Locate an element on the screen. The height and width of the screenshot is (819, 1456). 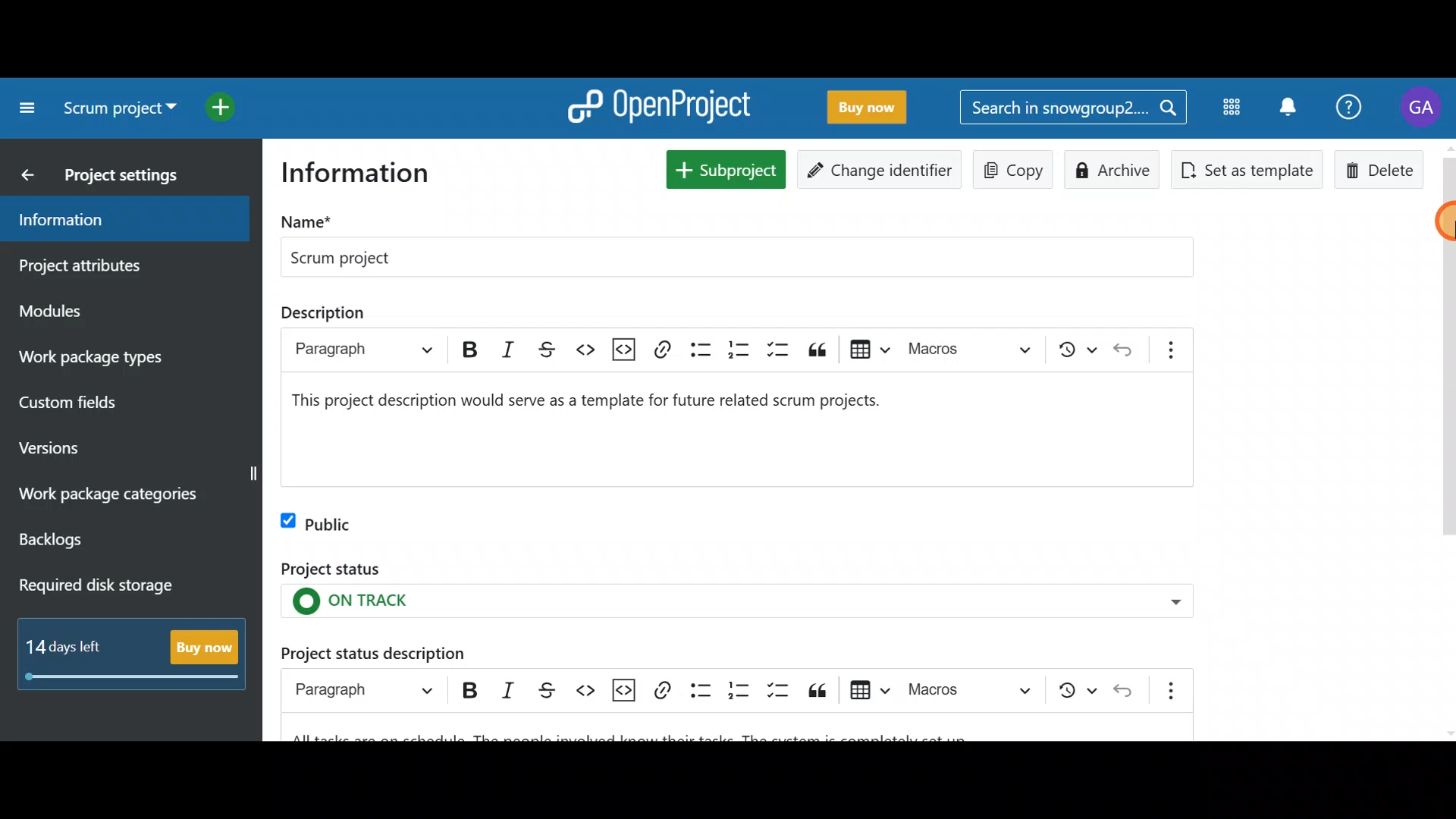
show  local modifications is located at coordinates (1076, 349).